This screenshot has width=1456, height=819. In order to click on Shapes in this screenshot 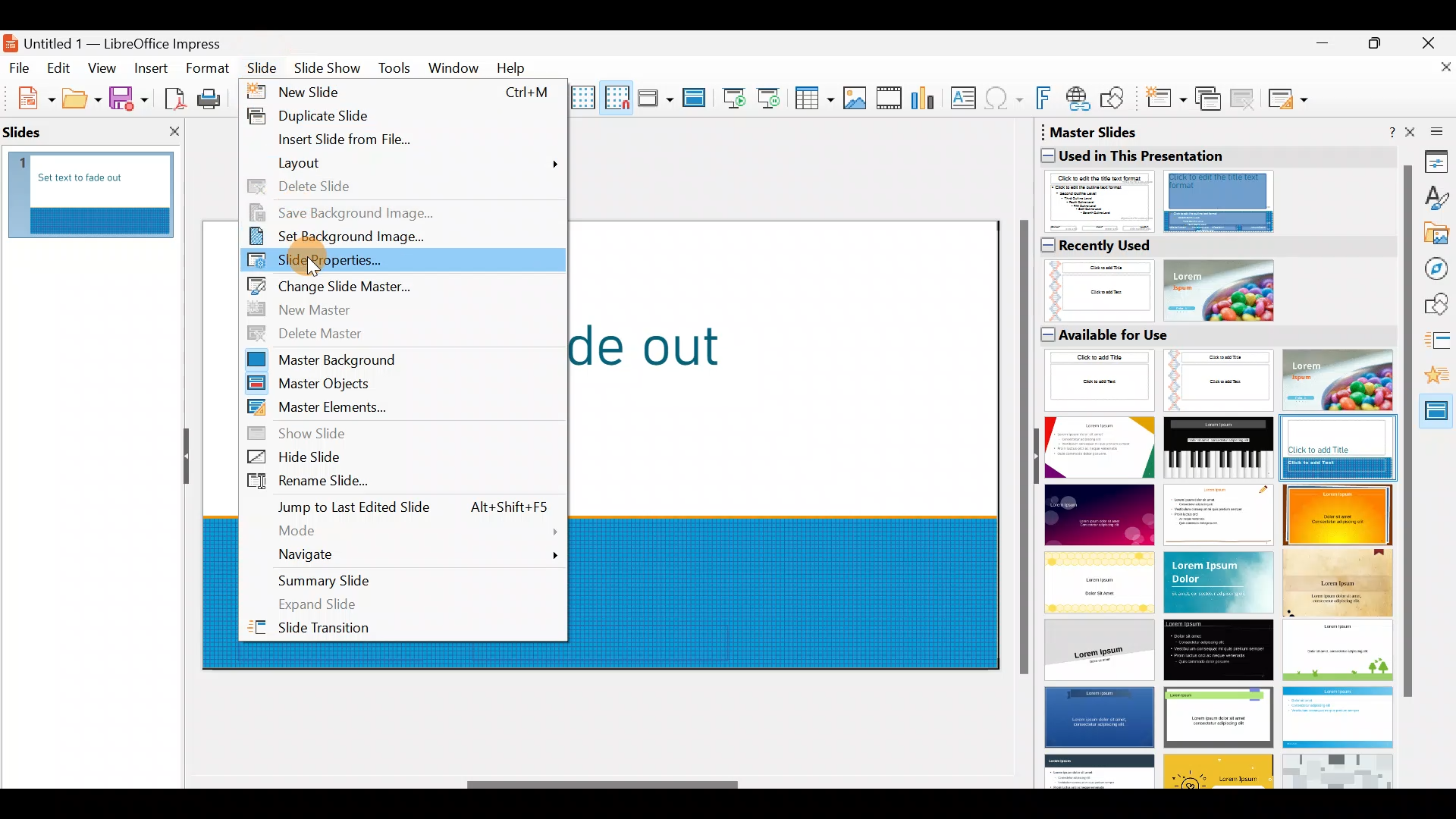, I will do `click(1439, 306)`.